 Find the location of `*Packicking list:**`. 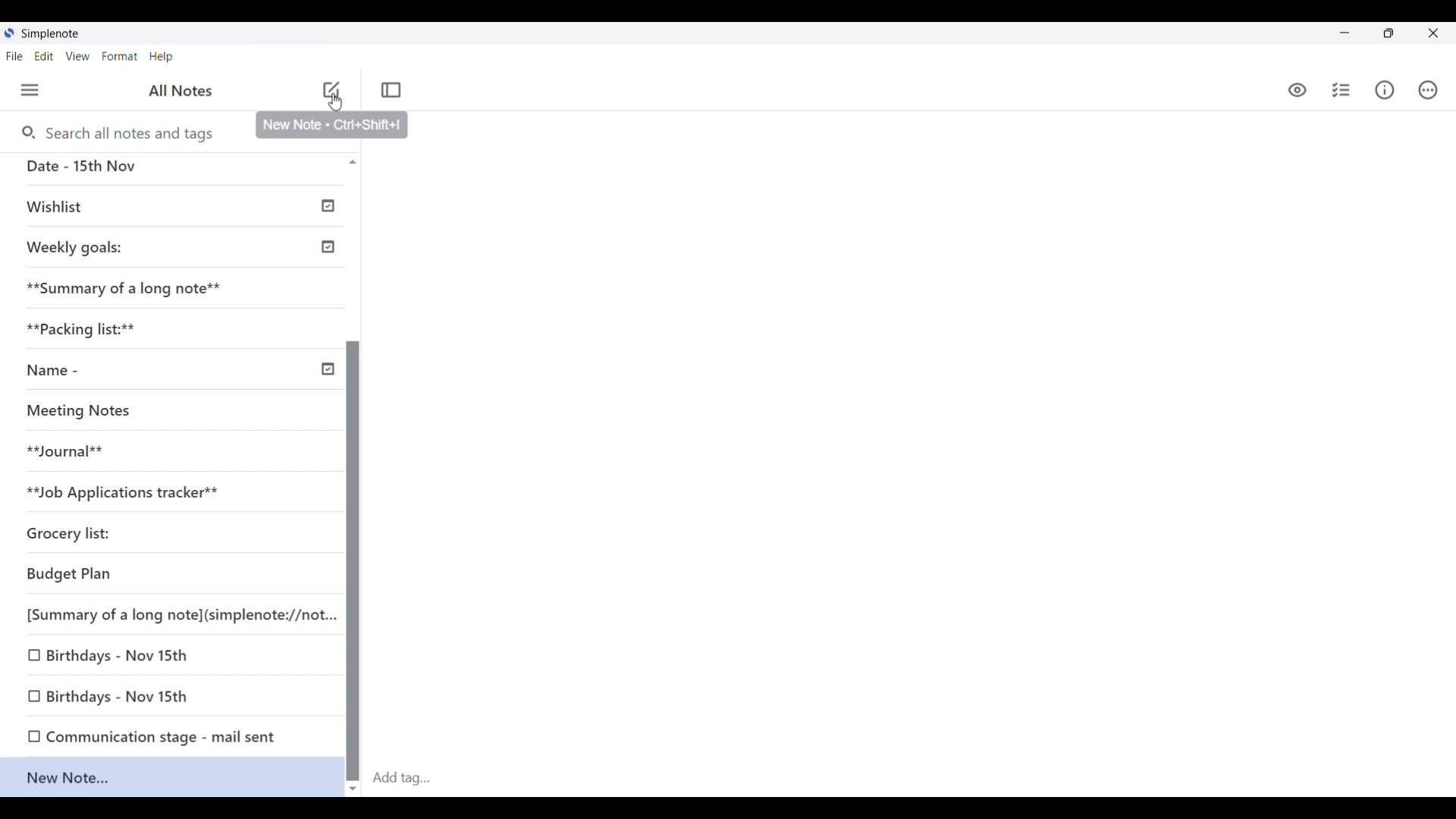

*Packicking list:** is located at coordinates (83, 331).